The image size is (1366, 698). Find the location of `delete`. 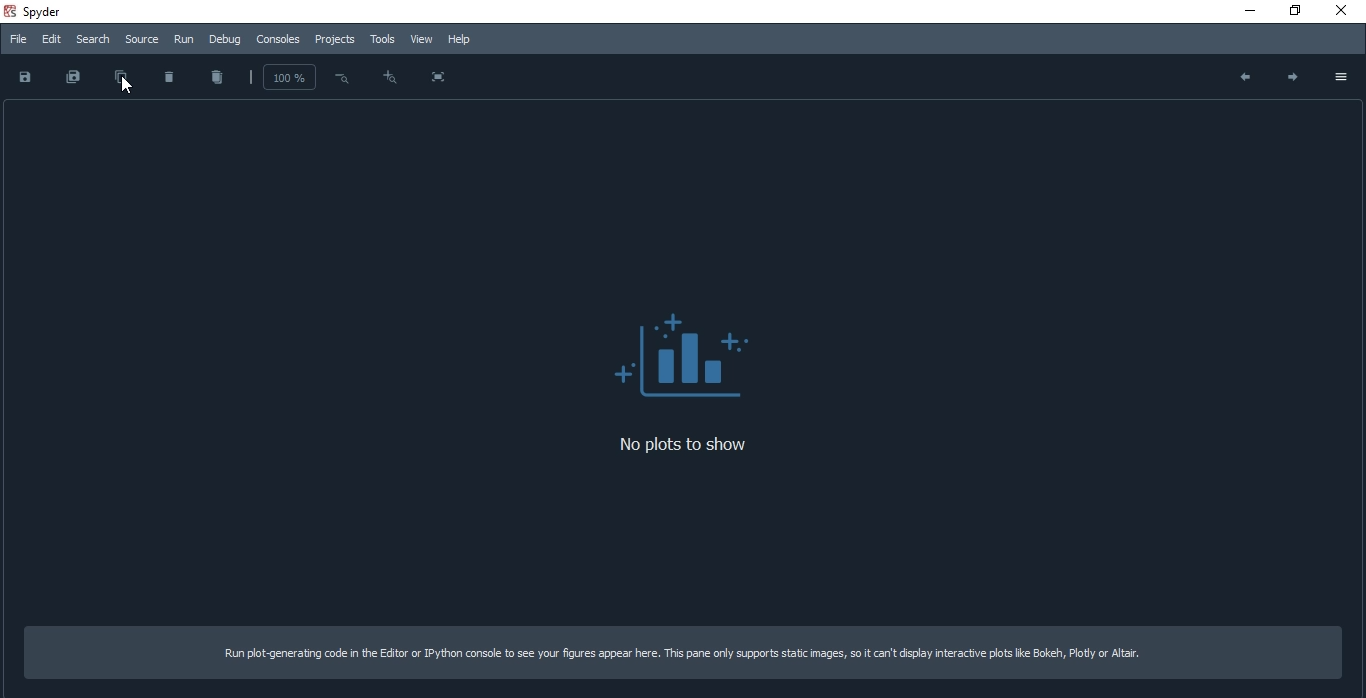

delete is located at coordinates (170, 76).